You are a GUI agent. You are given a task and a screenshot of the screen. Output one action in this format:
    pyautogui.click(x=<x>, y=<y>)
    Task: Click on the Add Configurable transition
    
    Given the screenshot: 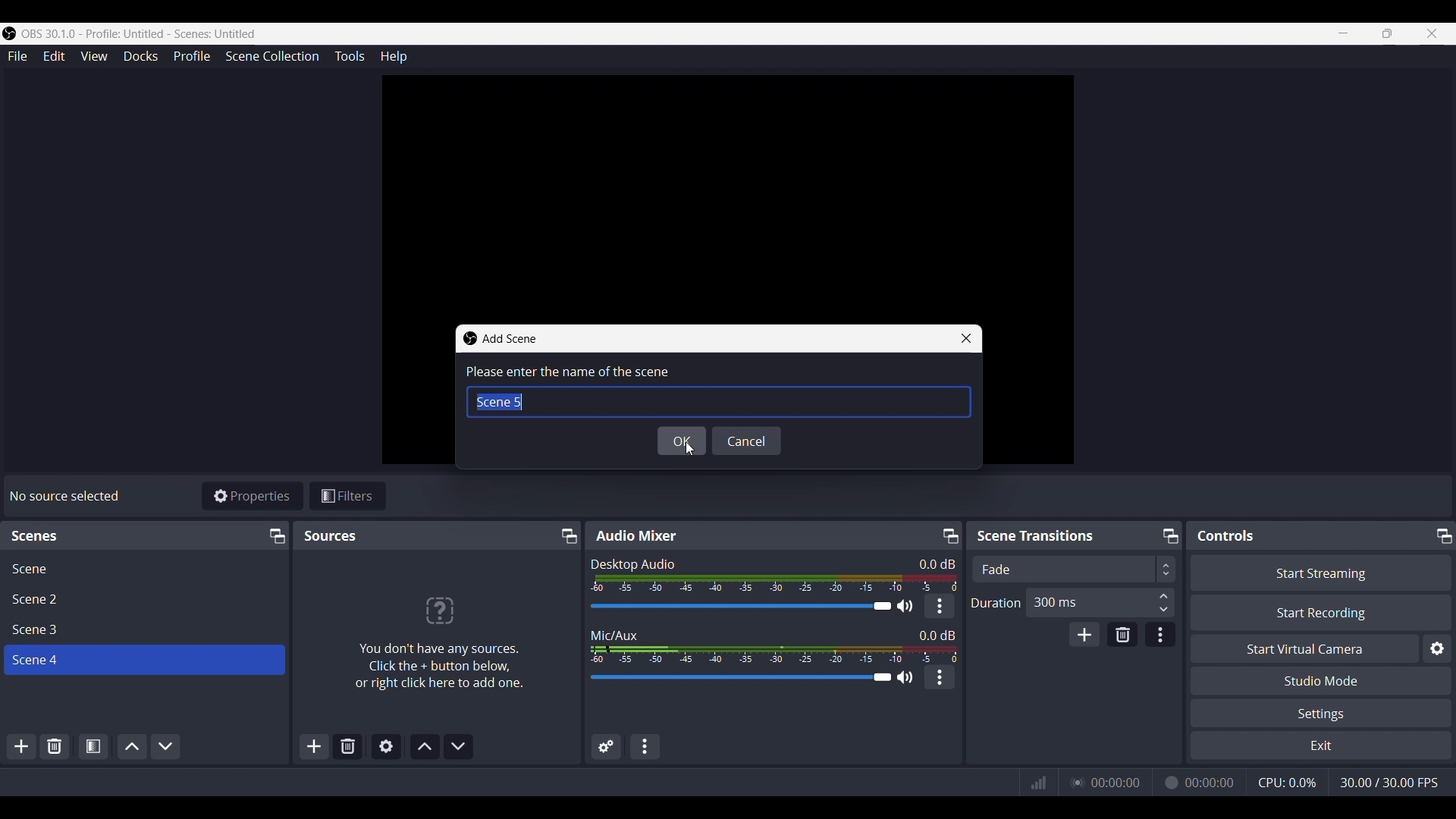 What is the action you would take?
    pyautogui.click(x=1084, y=634)
    